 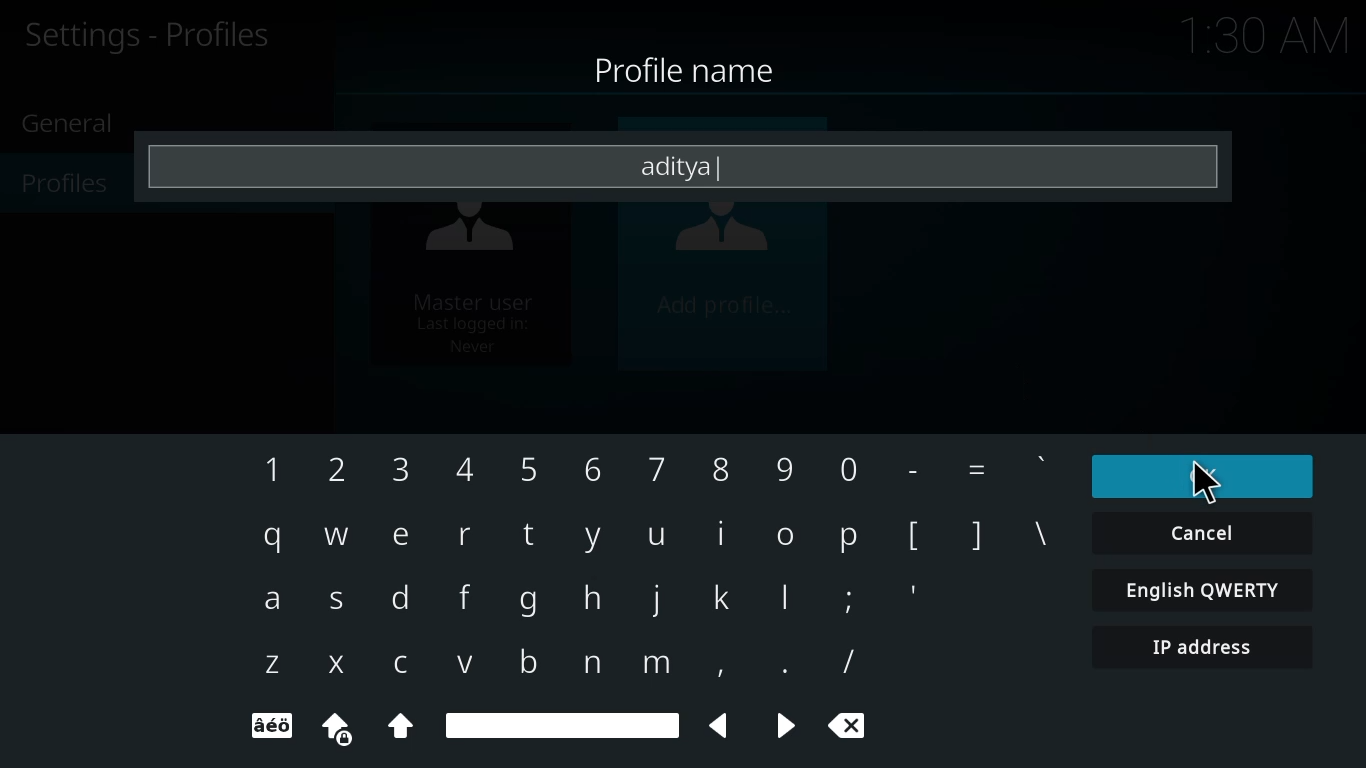 What do you see at coordinates (251, 464) in the screenshot?
I see `1` at bounding box center [251, 464].